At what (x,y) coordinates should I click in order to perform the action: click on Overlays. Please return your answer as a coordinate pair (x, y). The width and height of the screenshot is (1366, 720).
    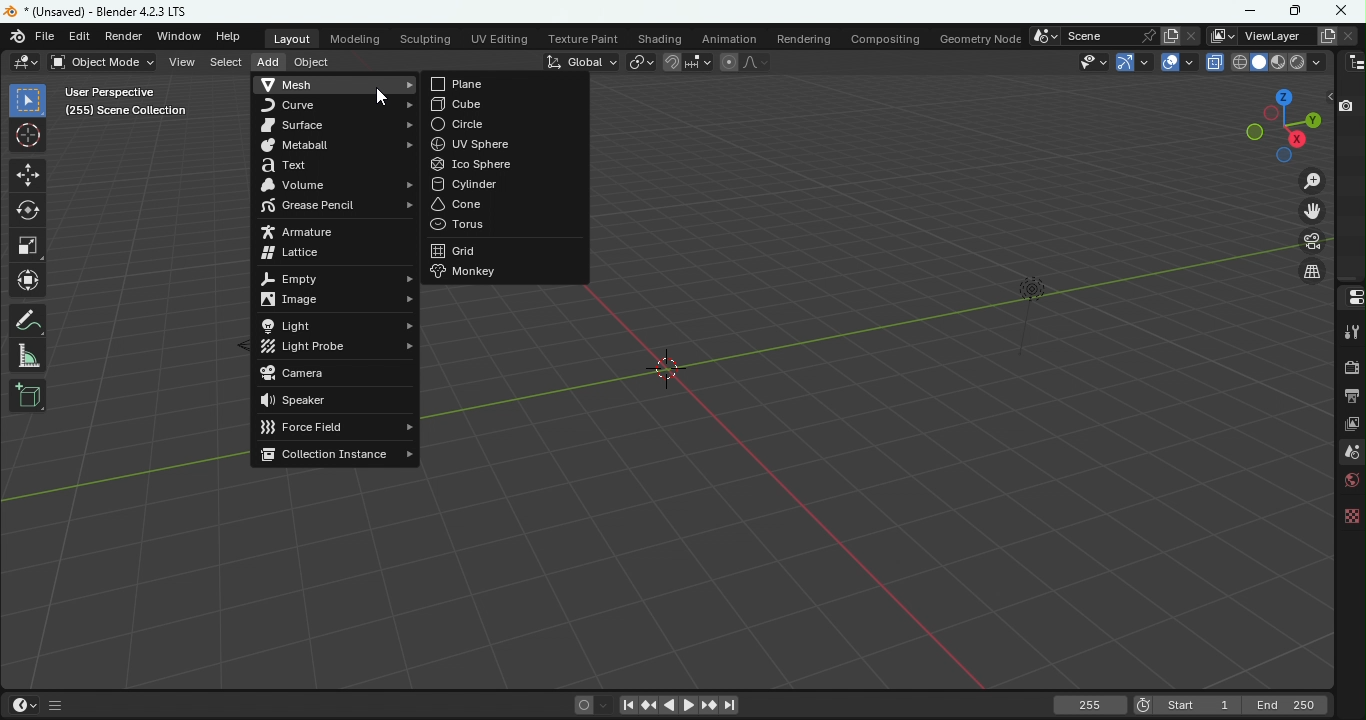
    Looking at the image, I should click on (1189, 62).